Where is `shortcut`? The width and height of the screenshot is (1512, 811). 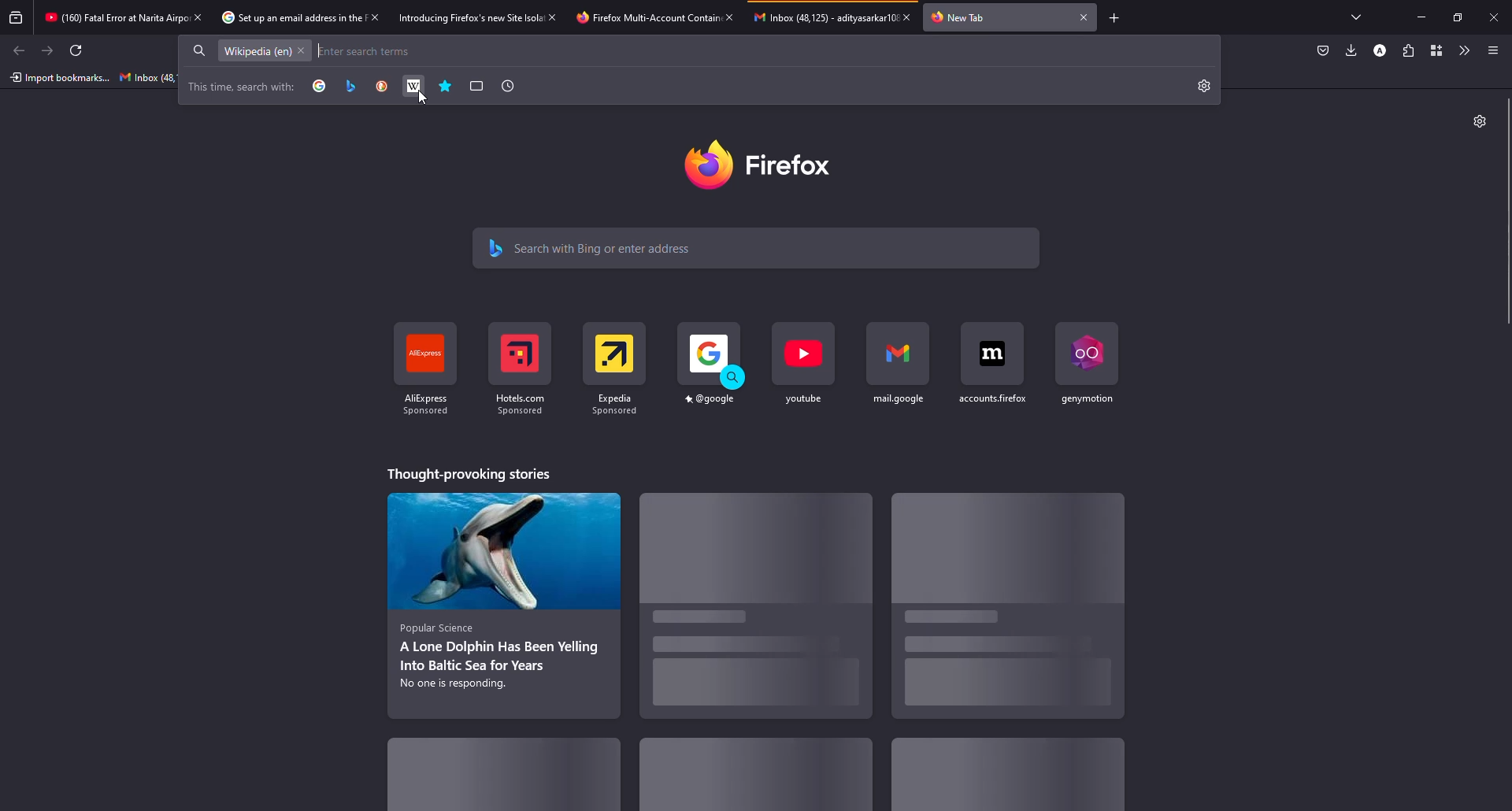
shortcut is located at coordinates (427, 367).